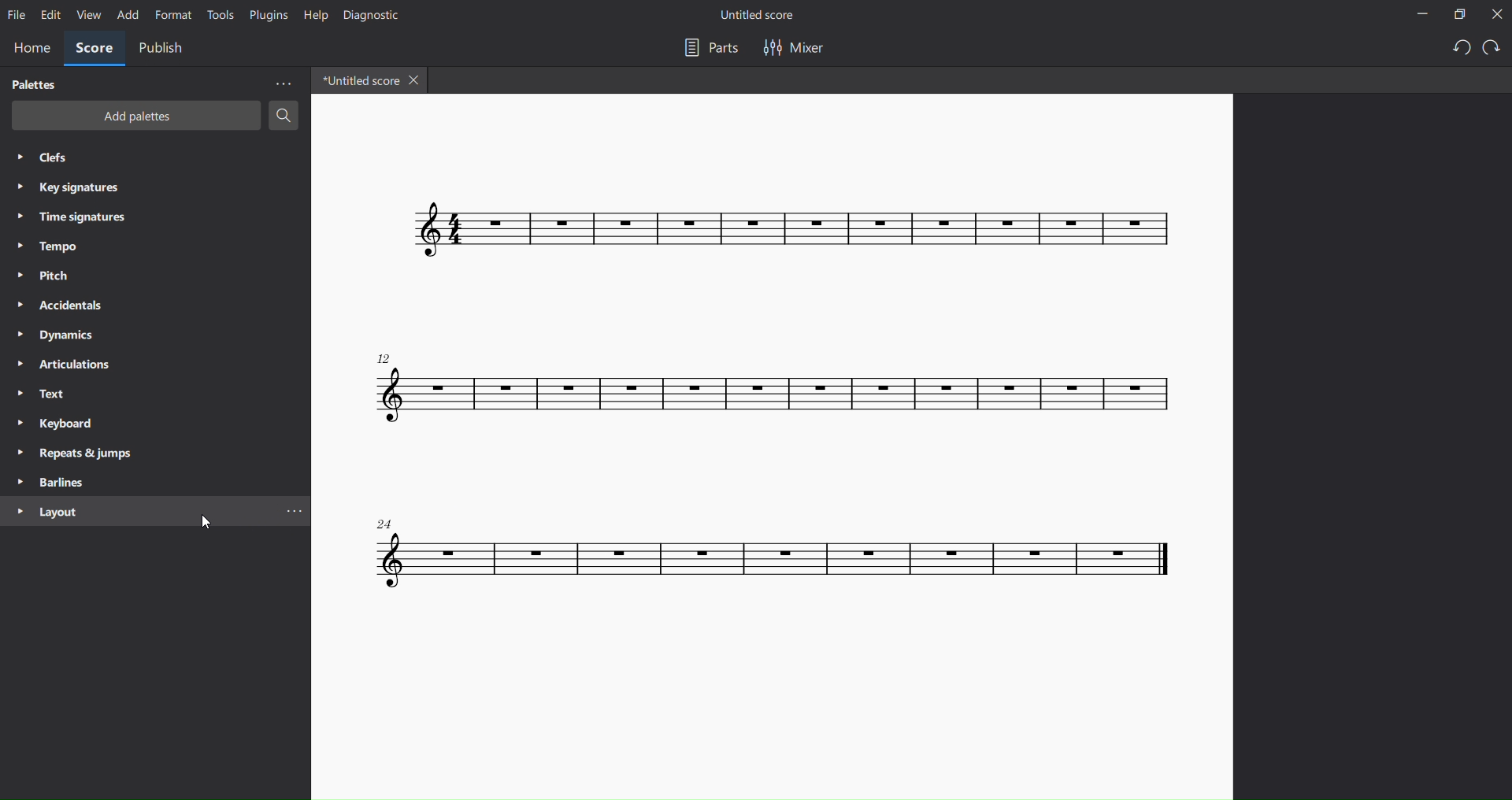 The image size is (1512, 800). Describe the element at coordinates (82, 453) in the screenshot. I see `repeats and jumps` at that location.